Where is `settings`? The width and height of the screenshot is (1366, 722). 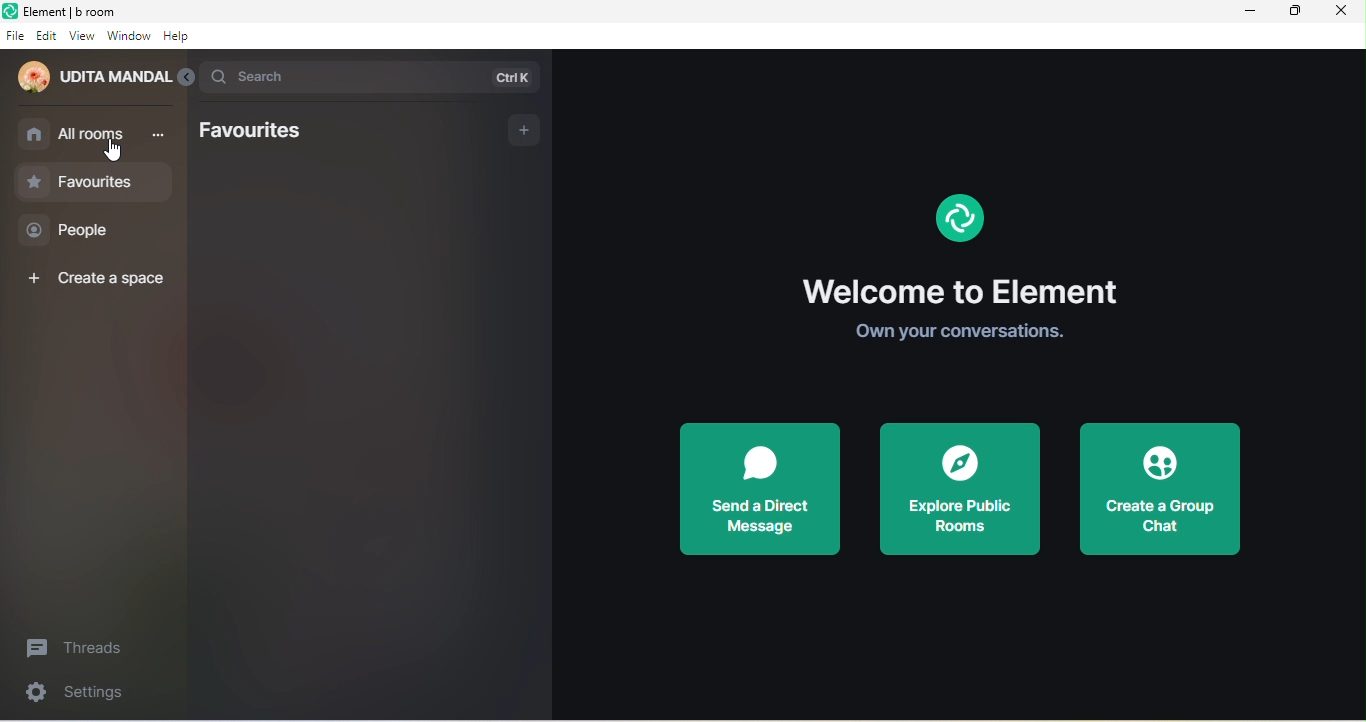
settings is located at coordinates (66, 694).